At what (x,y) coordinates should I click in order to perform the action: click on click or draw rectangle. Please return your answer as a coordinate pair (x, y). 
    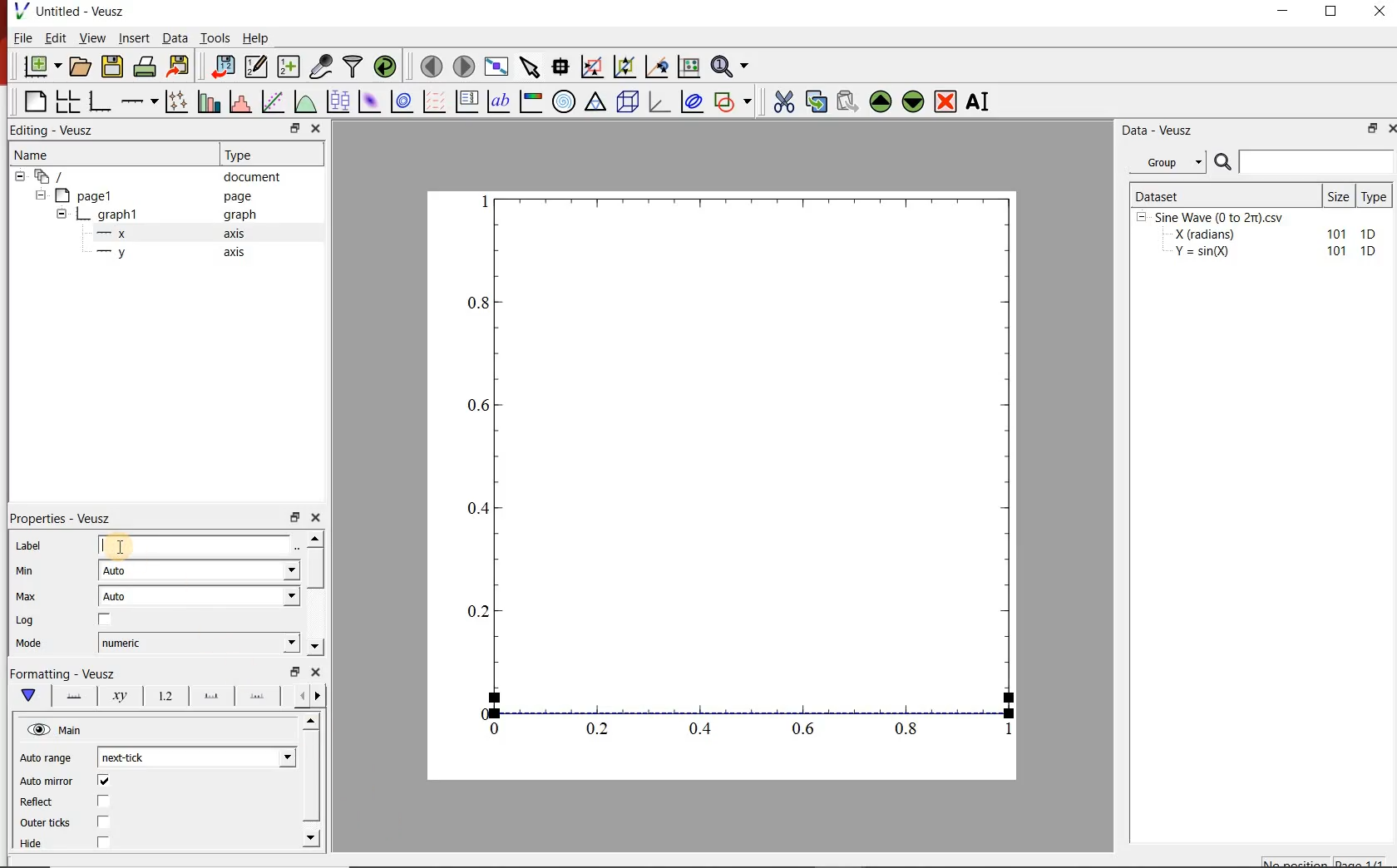
    Looking at the image, I should click on (592, 65).